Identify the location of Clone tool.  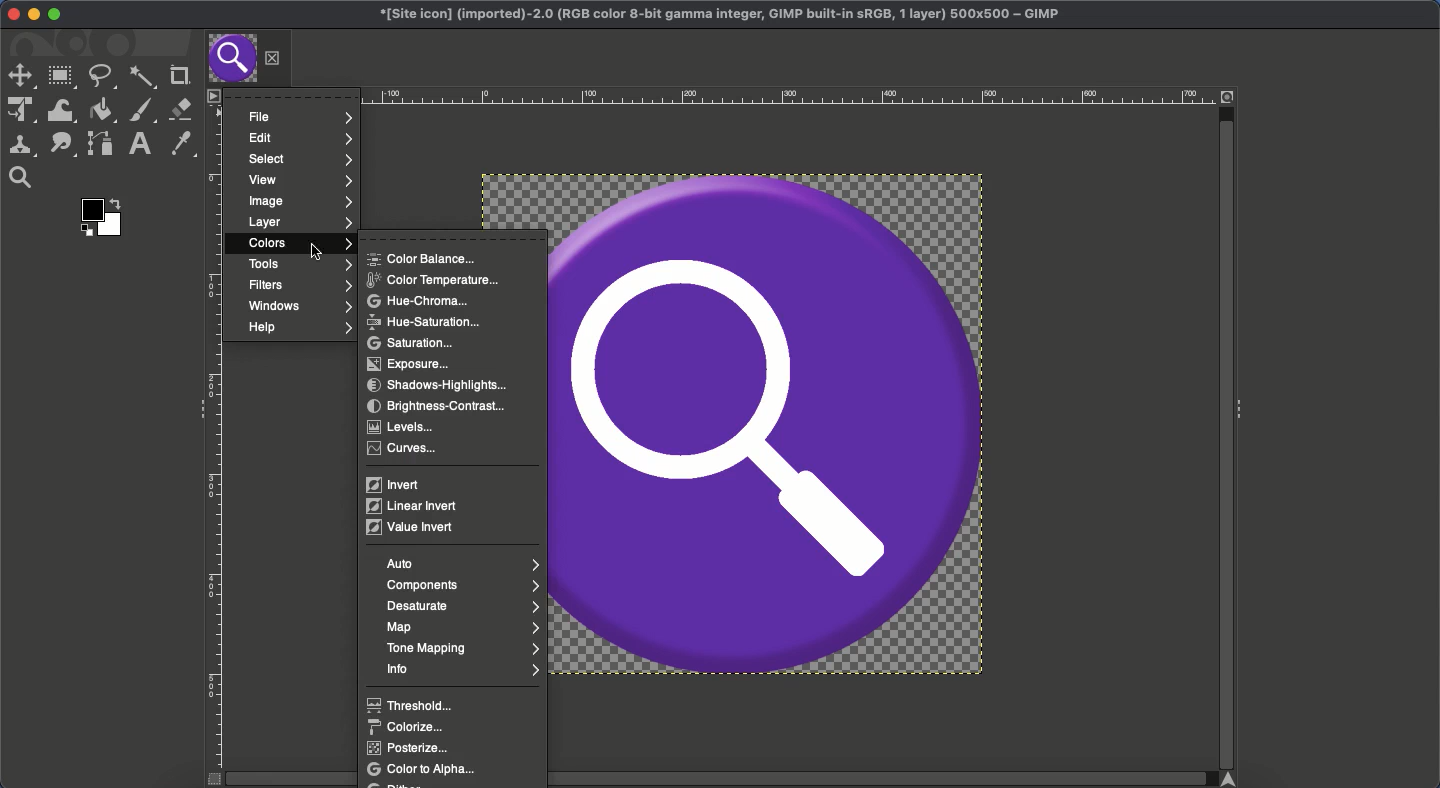
(21, 147).